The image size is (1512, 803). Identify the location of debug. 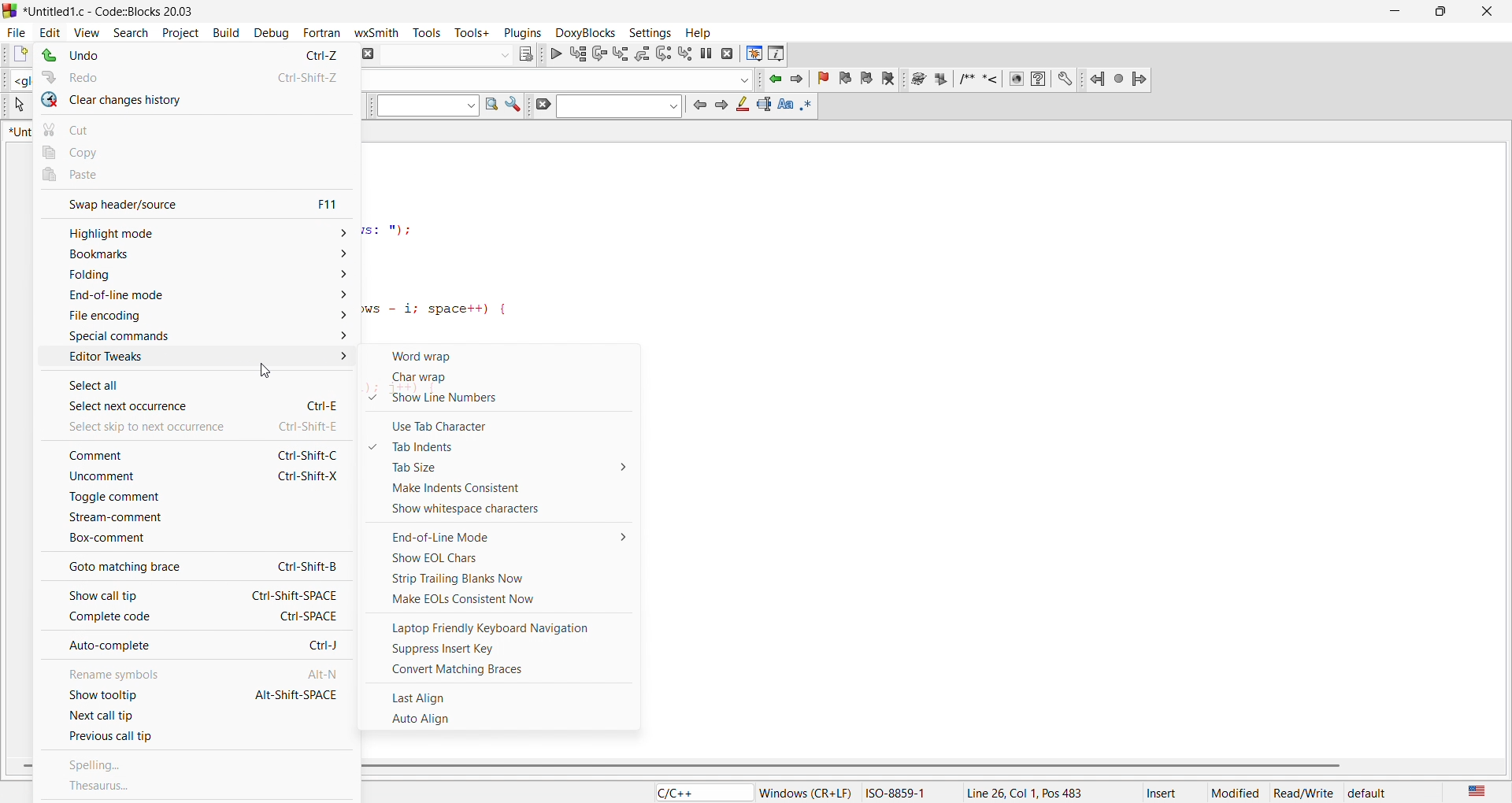
(272, 31).